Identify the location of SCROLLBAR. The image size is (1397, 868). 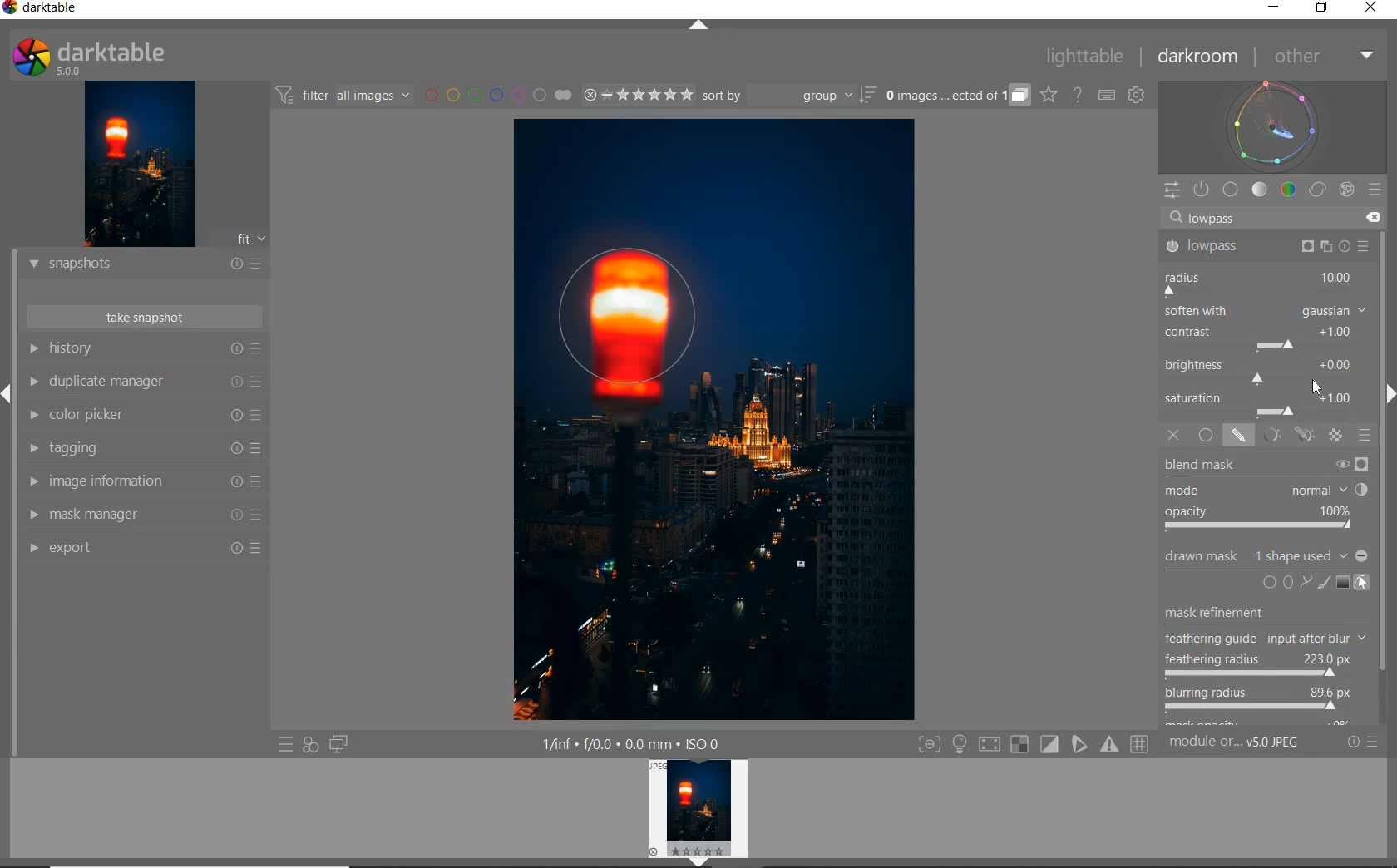
(1389, 475).